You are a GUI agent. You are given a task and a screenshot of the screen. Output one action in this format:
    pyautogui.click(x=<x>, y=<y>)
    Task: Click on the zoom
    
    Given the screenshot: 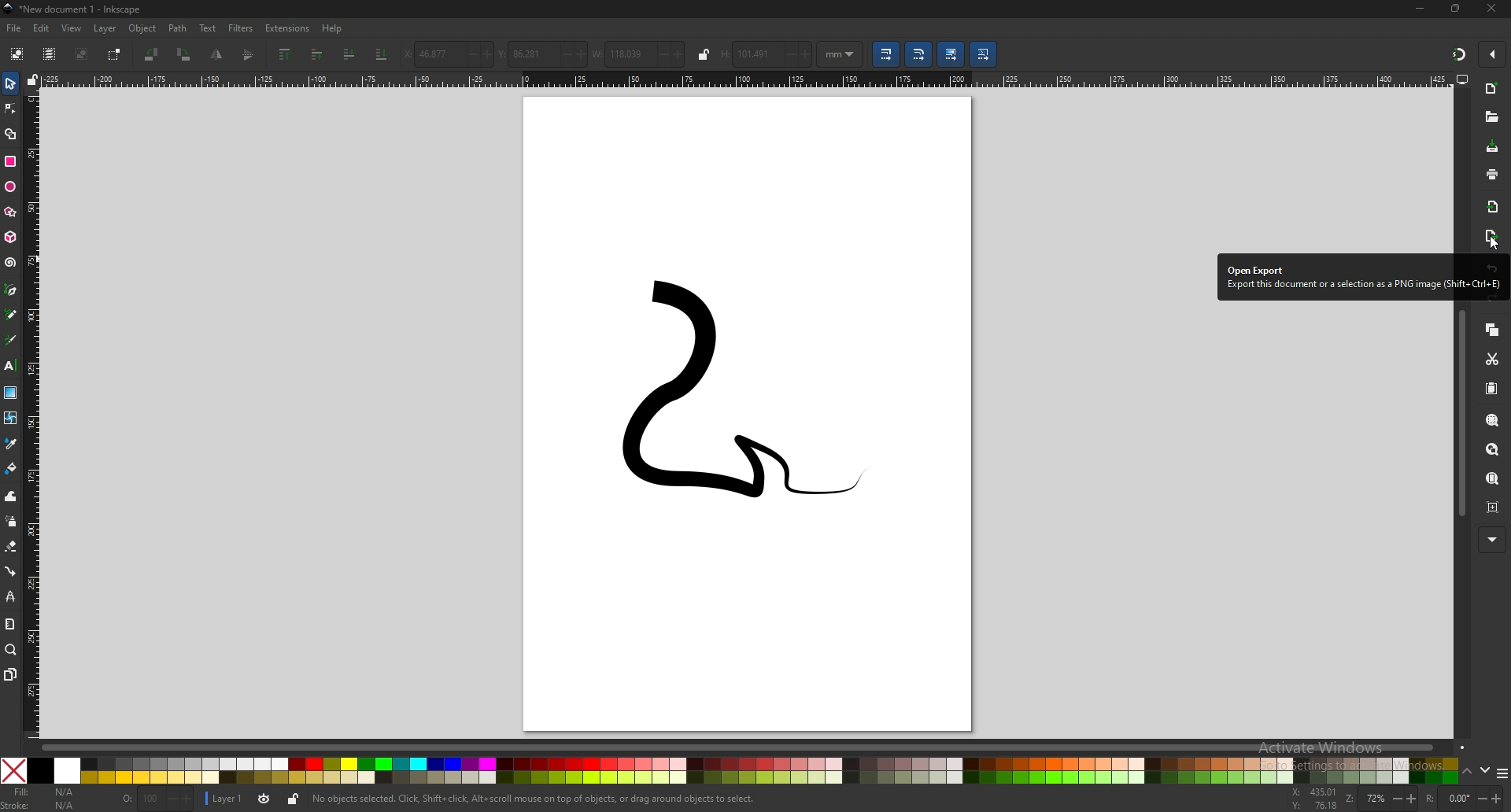 What is the action you would take?
    pyautogui.click(x=11, y=651)
    